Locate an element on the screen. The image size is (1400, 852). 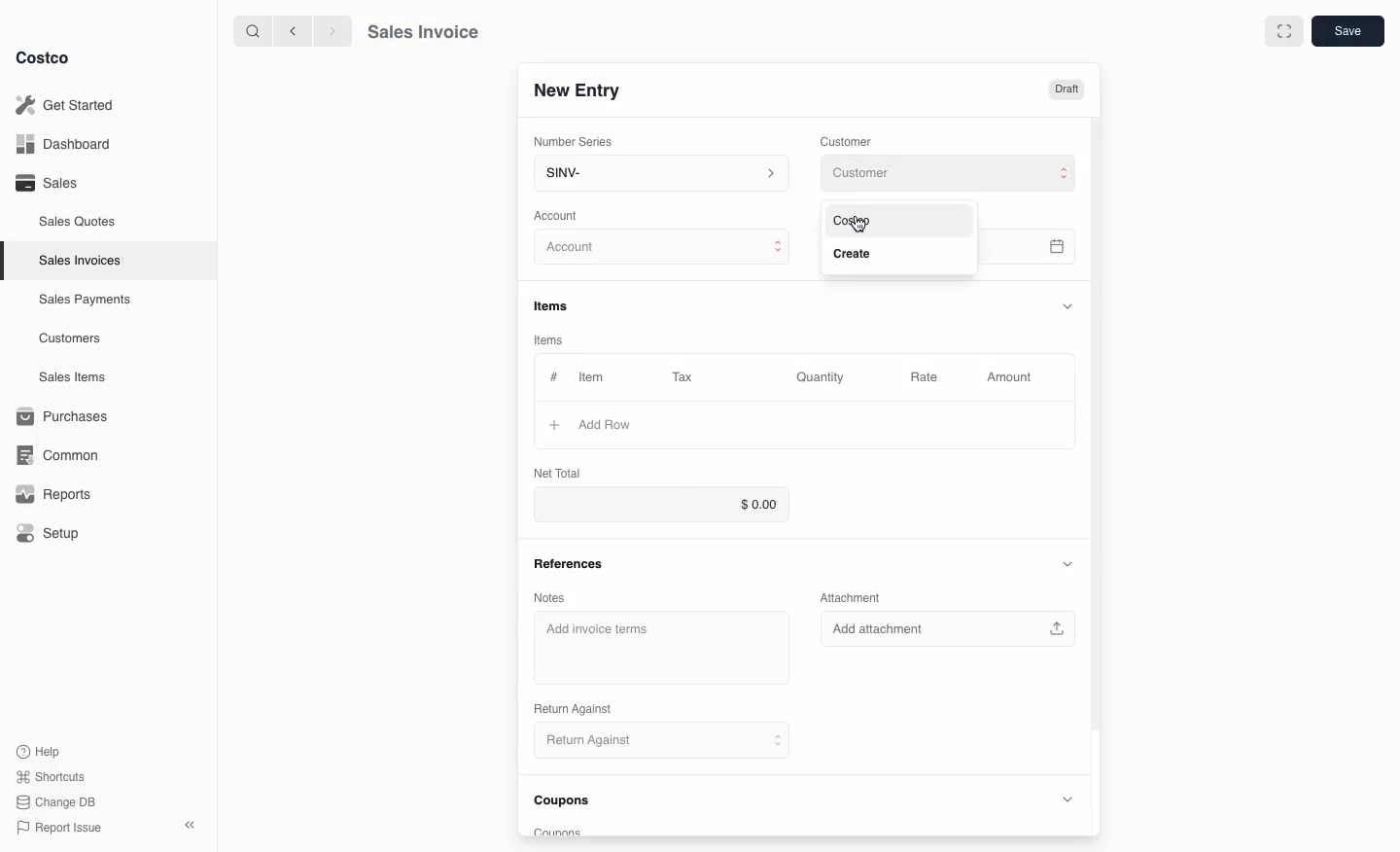
Setup is located at coordinates (50, 535).